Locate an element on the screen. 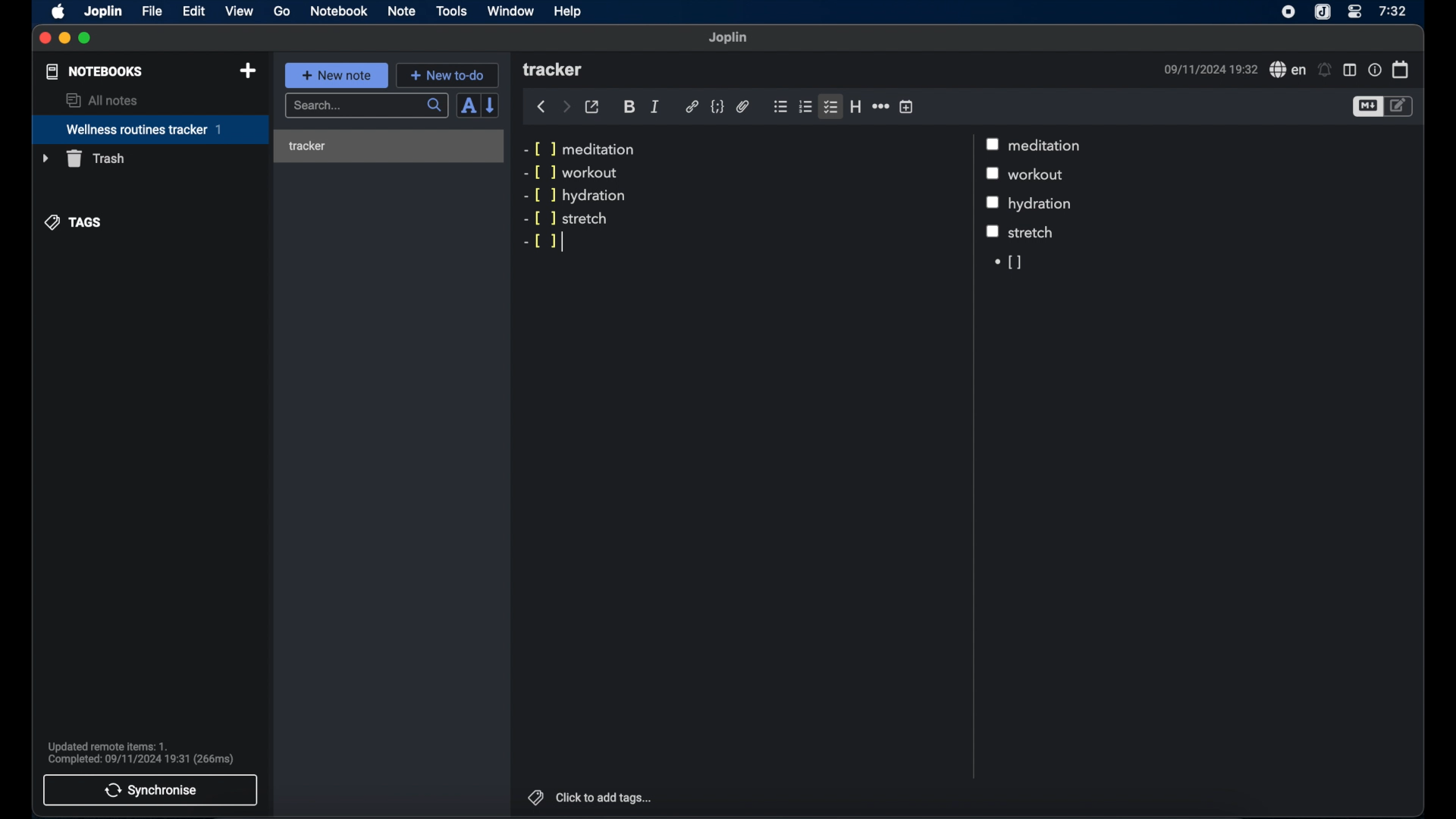 The width and height of the screenshot is (1456, 819). control center is located at coordinates (1355, 12).